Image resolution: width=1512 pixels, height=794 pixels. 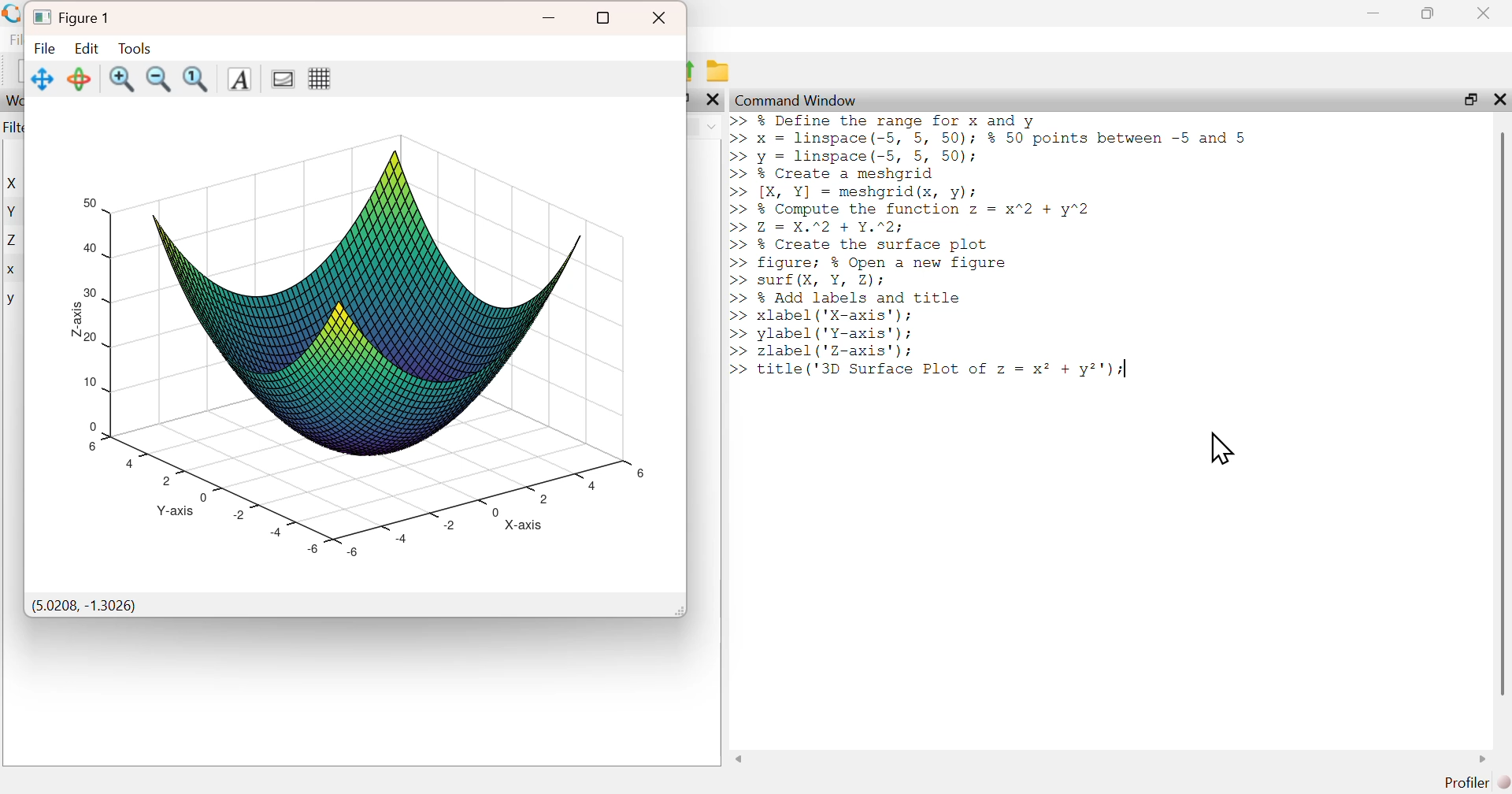 What do you see at coordinates (11, 300) in the screenshot?
I see `y` at bounding box center [11, 300].